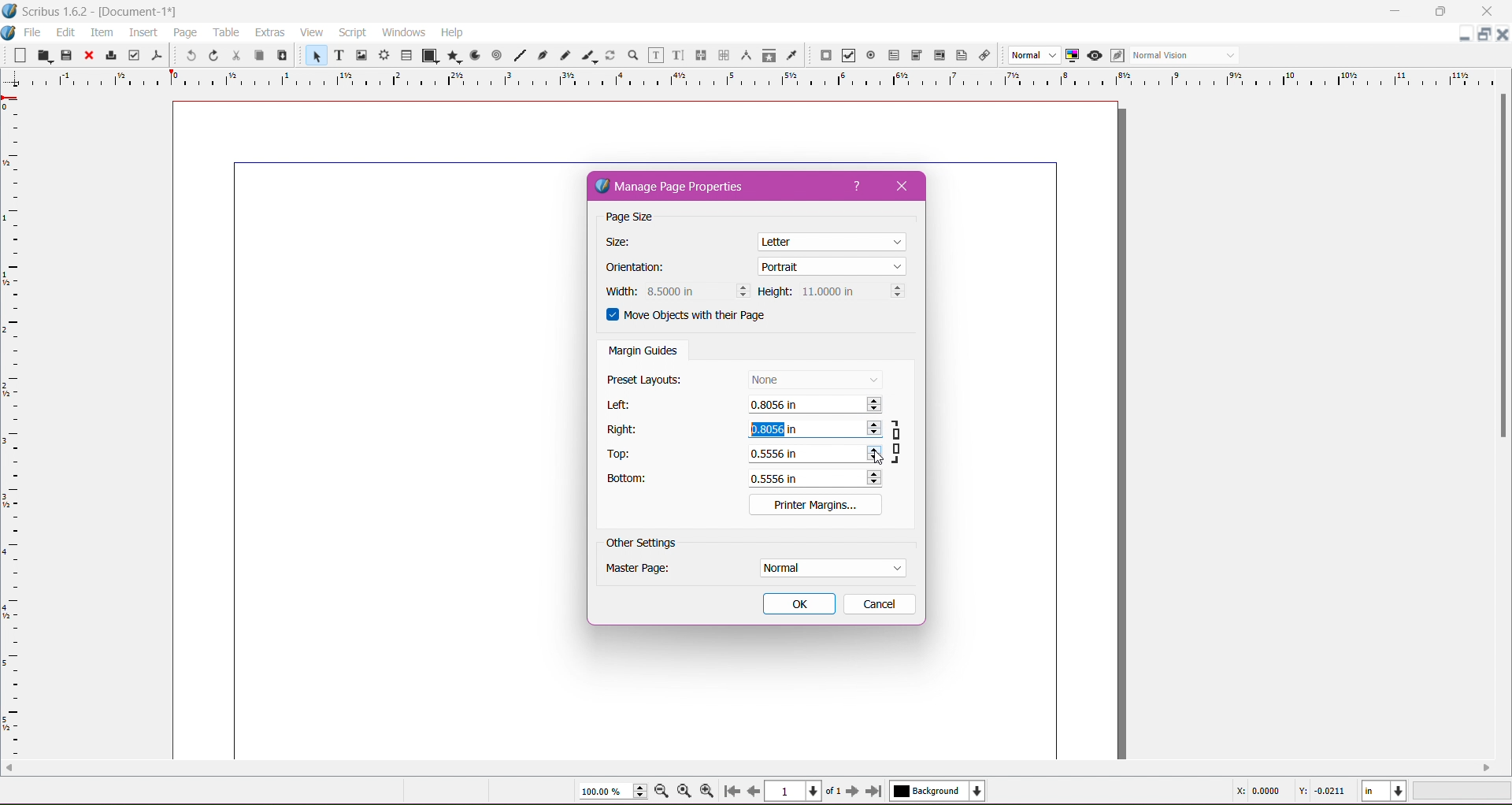 Image resolution: width=1512 pixels, height=805 pixels. What do you see at coordinates (1503, 35) in the screenshot?
I see `Close Document` at bounding box center [1503, 35].